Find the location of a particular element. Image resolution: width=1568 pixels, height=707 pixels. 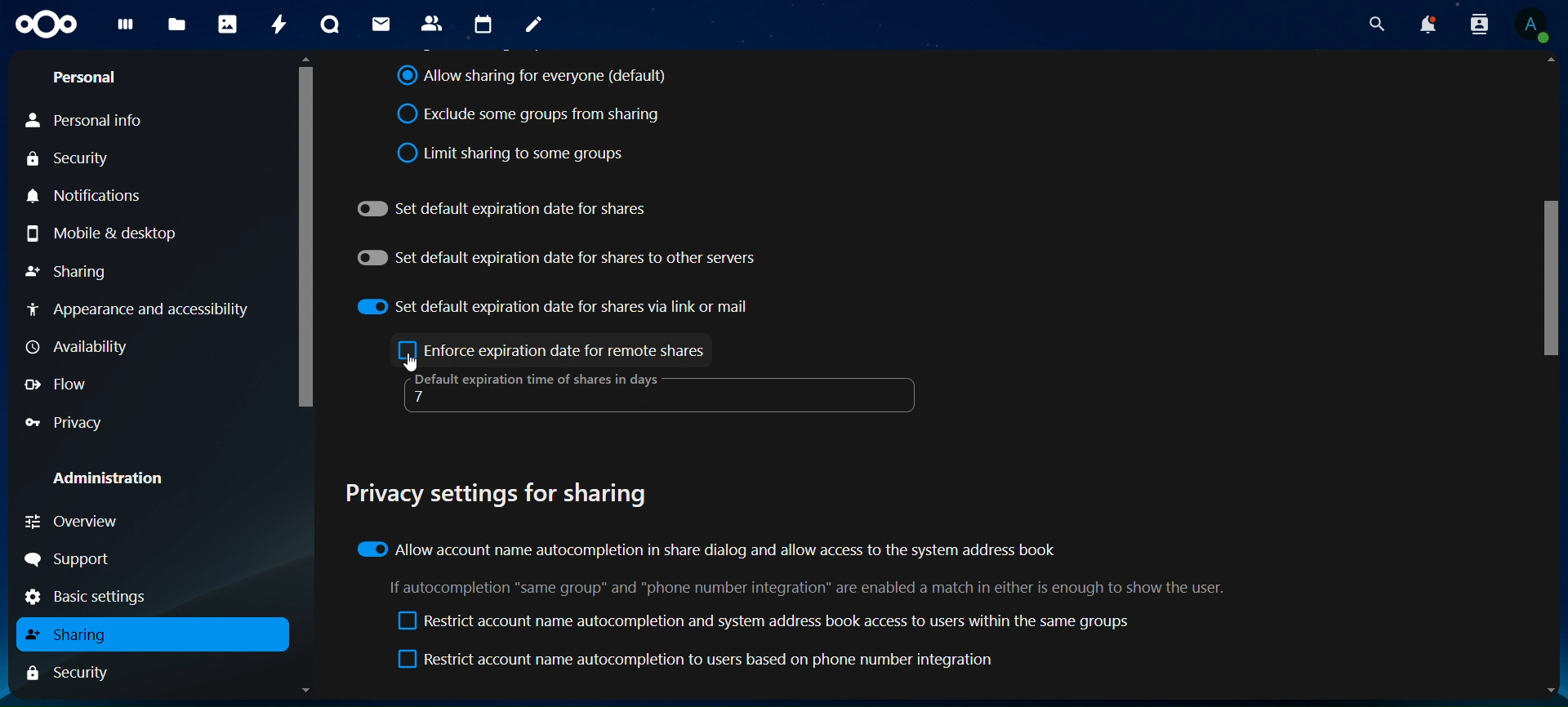

limit sharing to some groups is located at coordinates (513, 150).